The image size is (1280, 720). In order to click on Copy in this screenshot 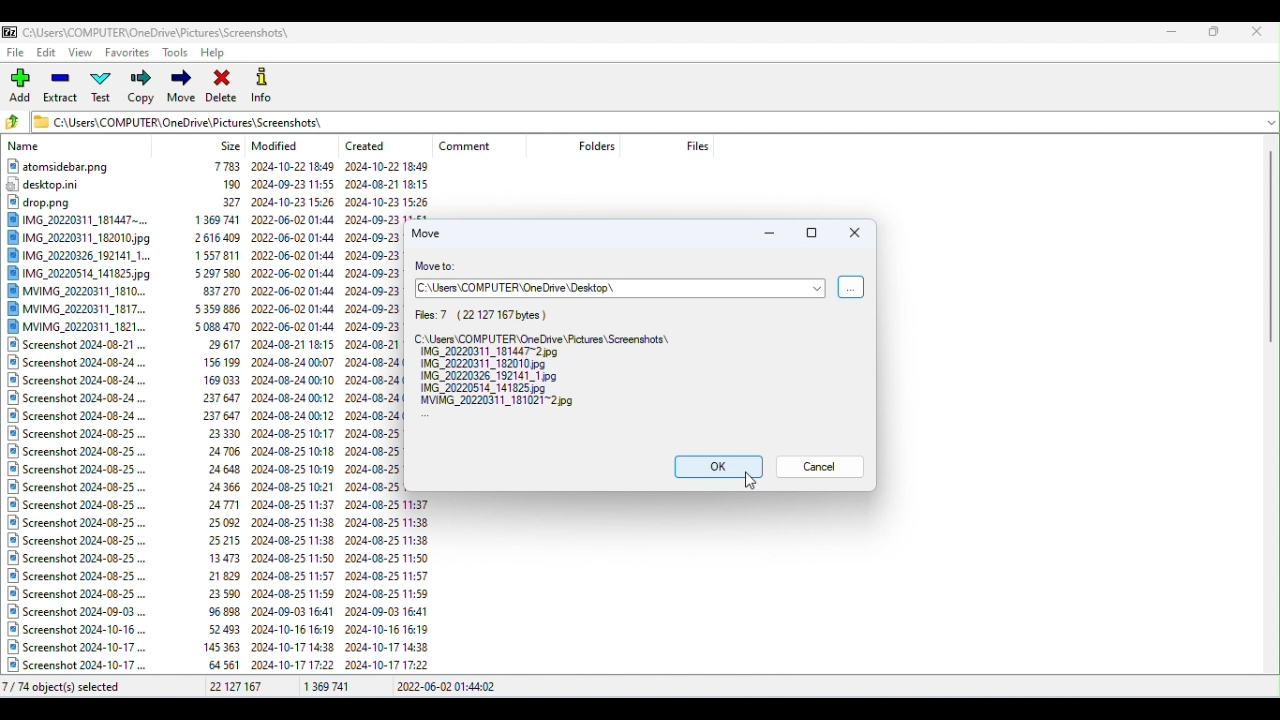, I will do `click(140, 88)`.